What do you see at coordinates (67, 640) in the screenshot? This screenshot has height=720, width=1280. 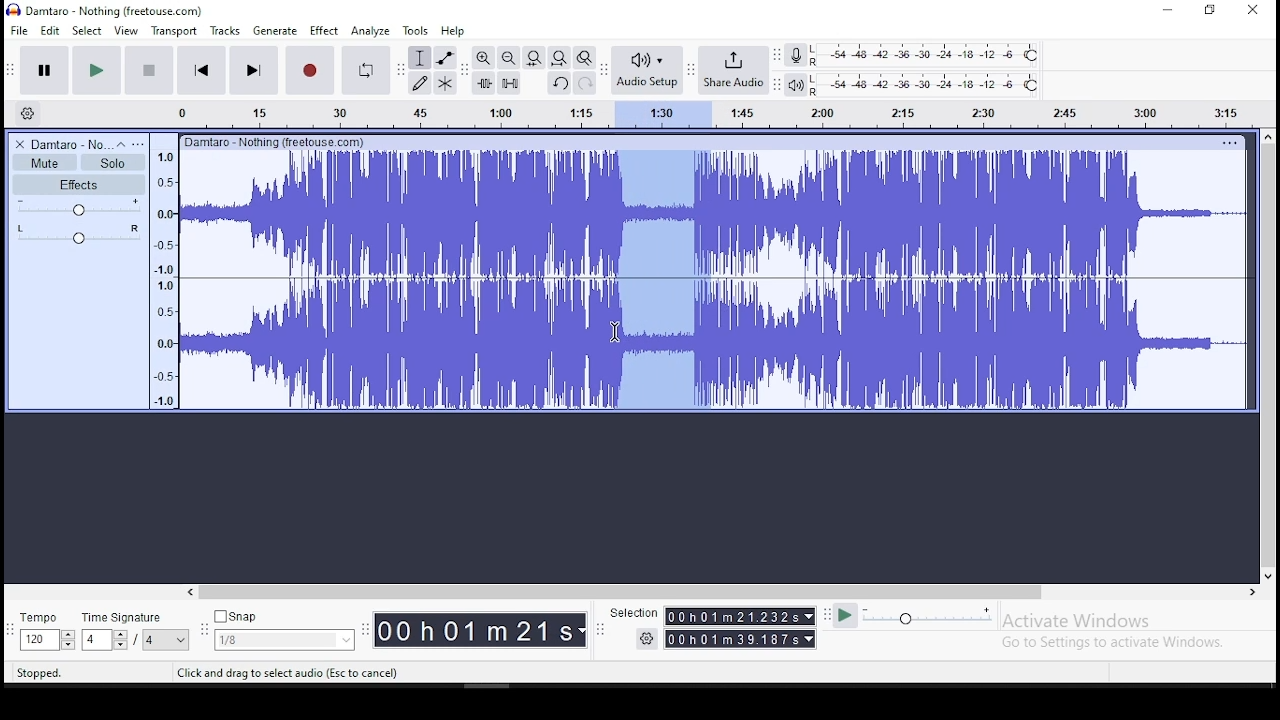 I see `drop down` at bounding box center [67, 640].